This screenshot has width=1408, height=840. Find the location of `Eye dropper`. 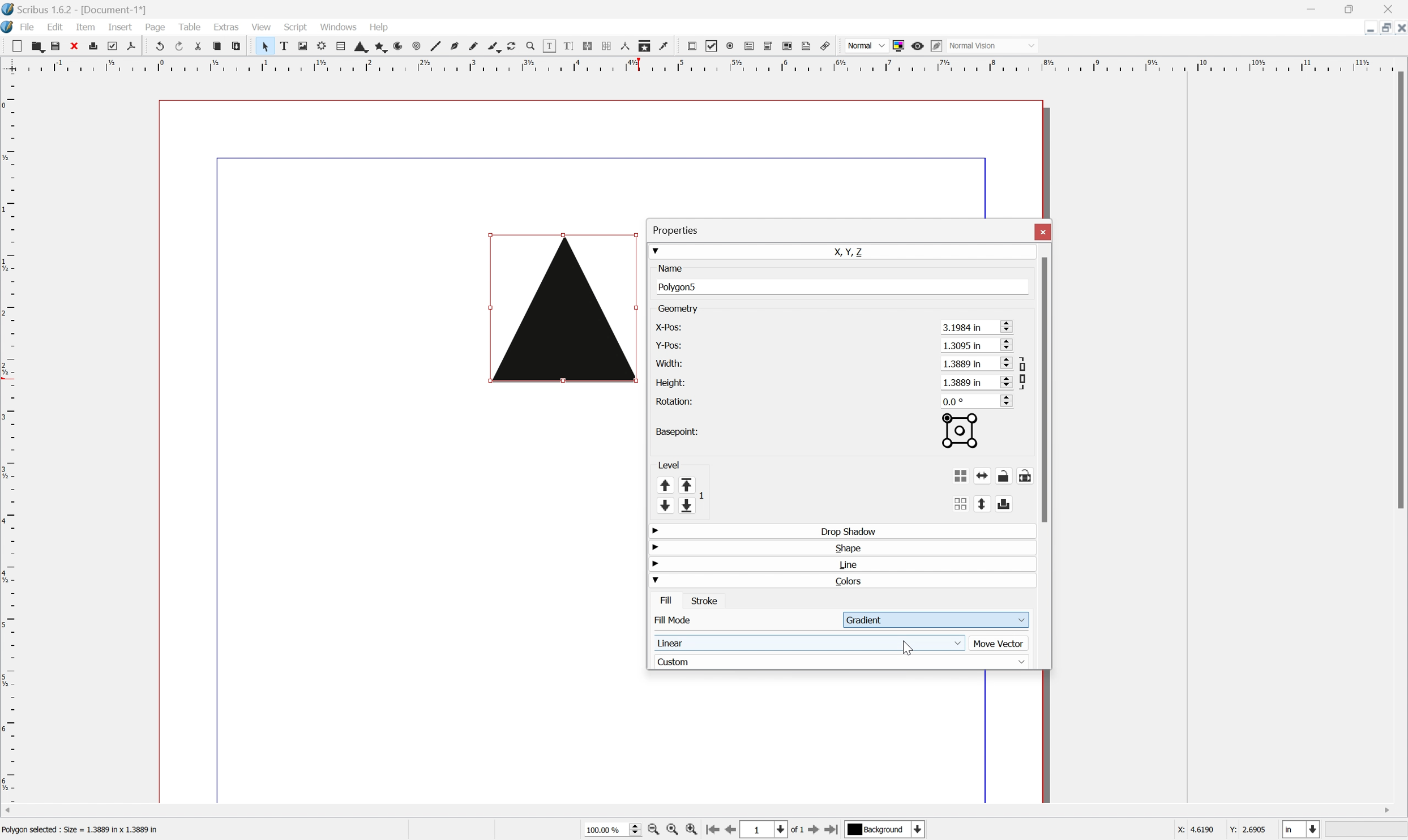

Eye dropper is located at coordinates (667, 46).